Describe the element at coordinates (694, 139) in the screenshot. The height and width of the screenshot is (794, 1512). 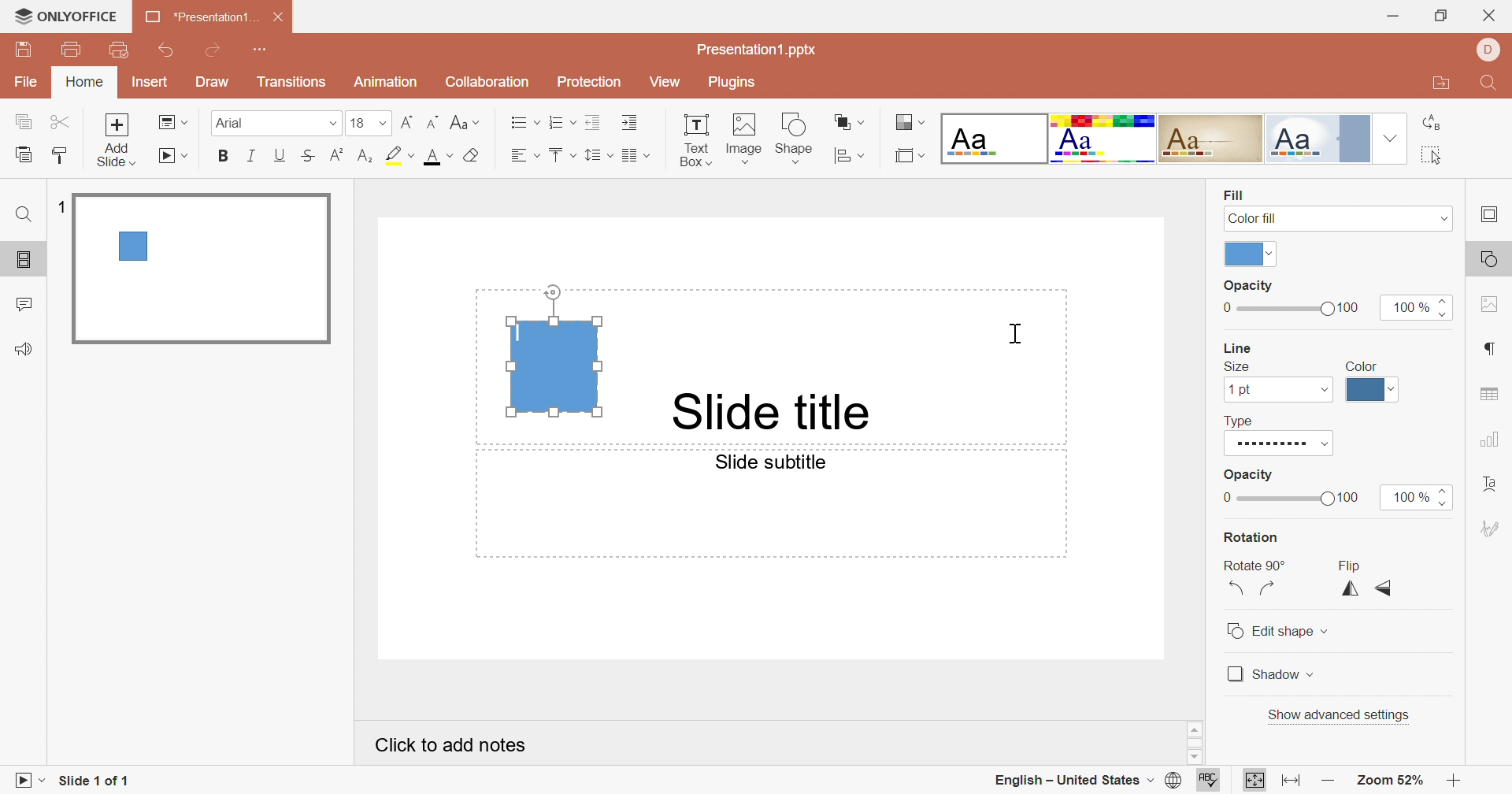
I see `Text Box` at that location.